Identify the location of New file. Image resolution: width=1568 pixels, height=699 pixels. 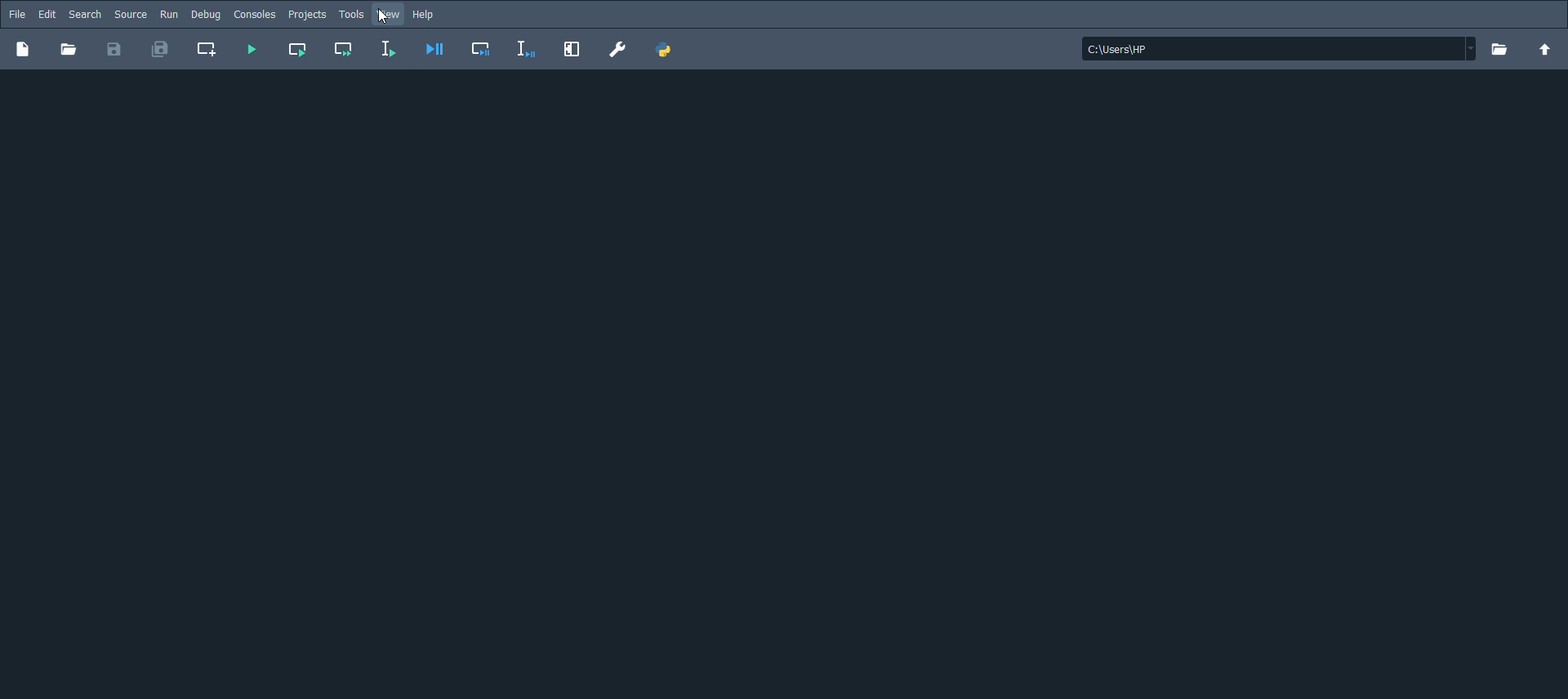
(22, 50).